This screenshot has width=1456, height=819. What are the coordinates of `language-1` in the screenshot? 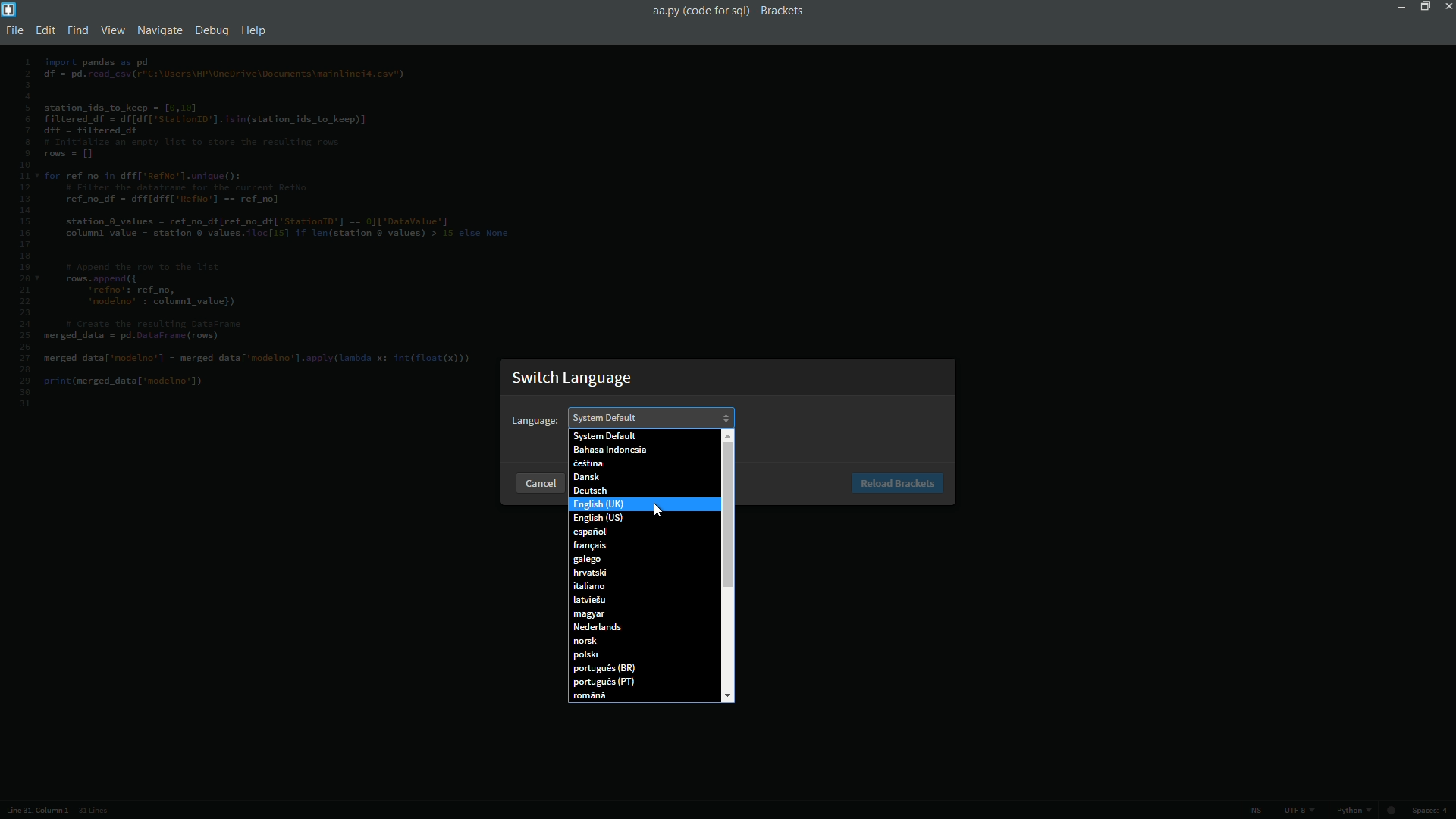 It's located at (609, 452).